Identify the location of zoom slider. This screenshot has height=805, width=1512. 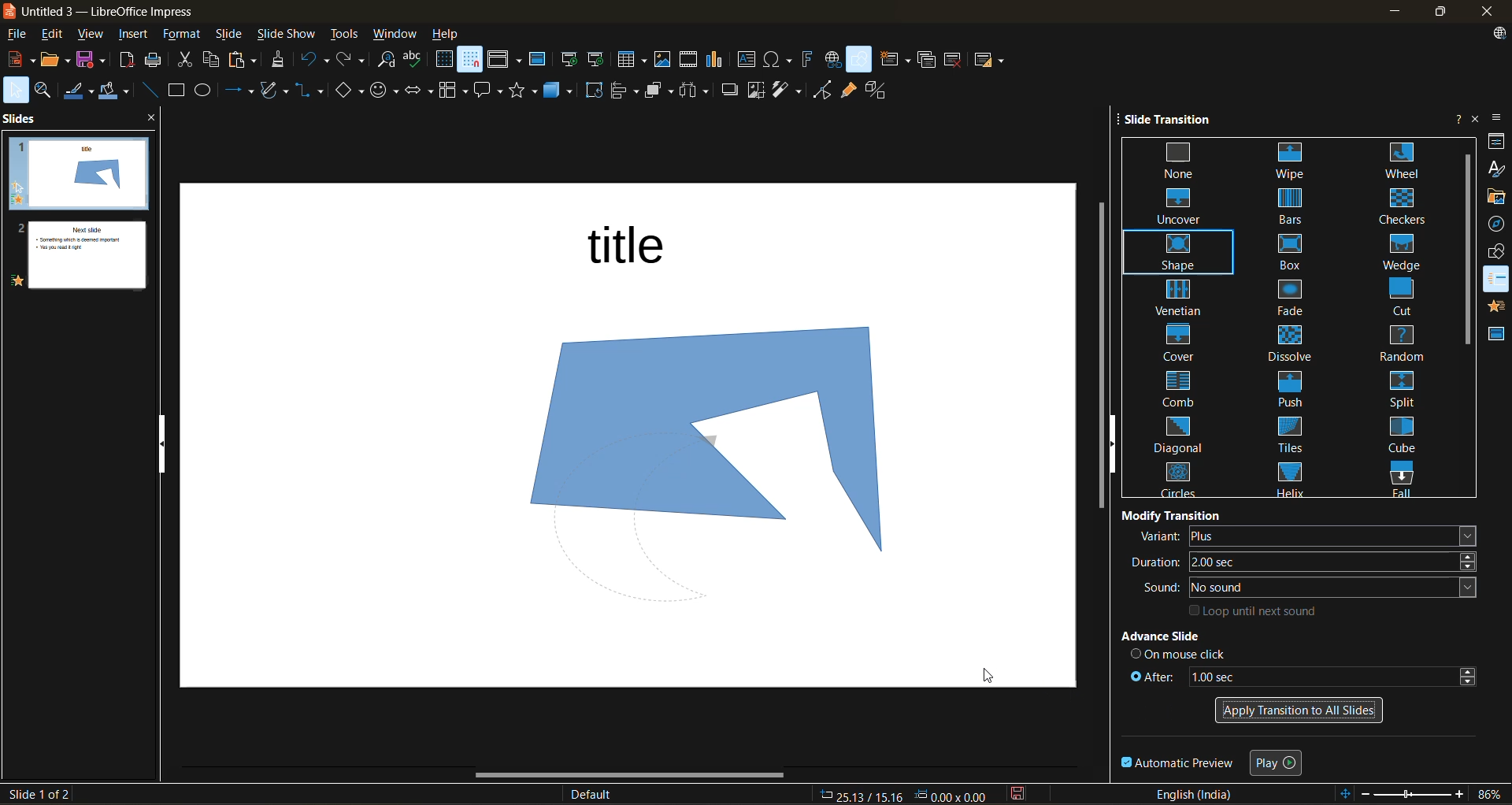
(1414, 796).